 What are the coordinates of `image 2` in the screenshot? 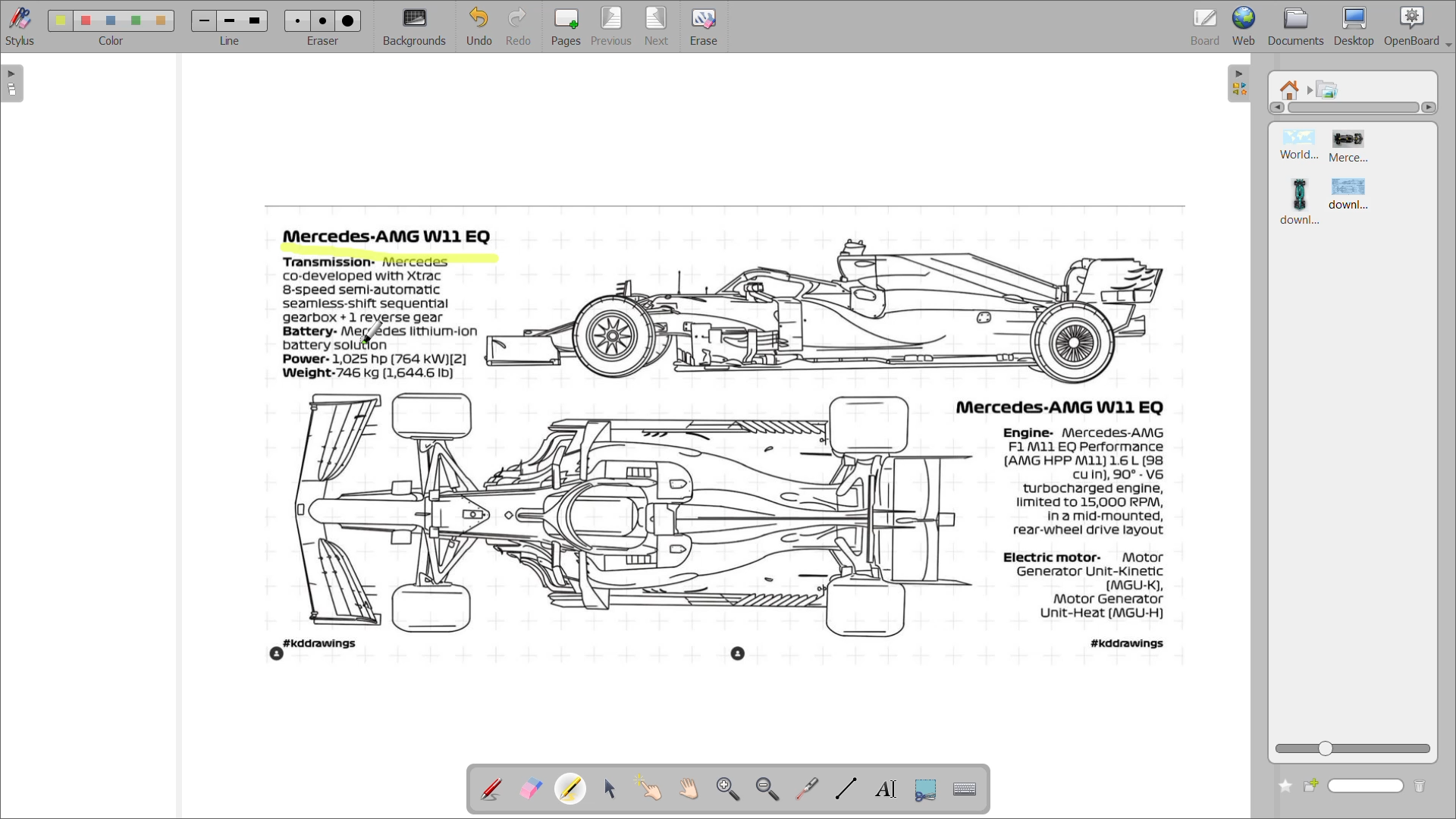 It's located at (1349, 149).